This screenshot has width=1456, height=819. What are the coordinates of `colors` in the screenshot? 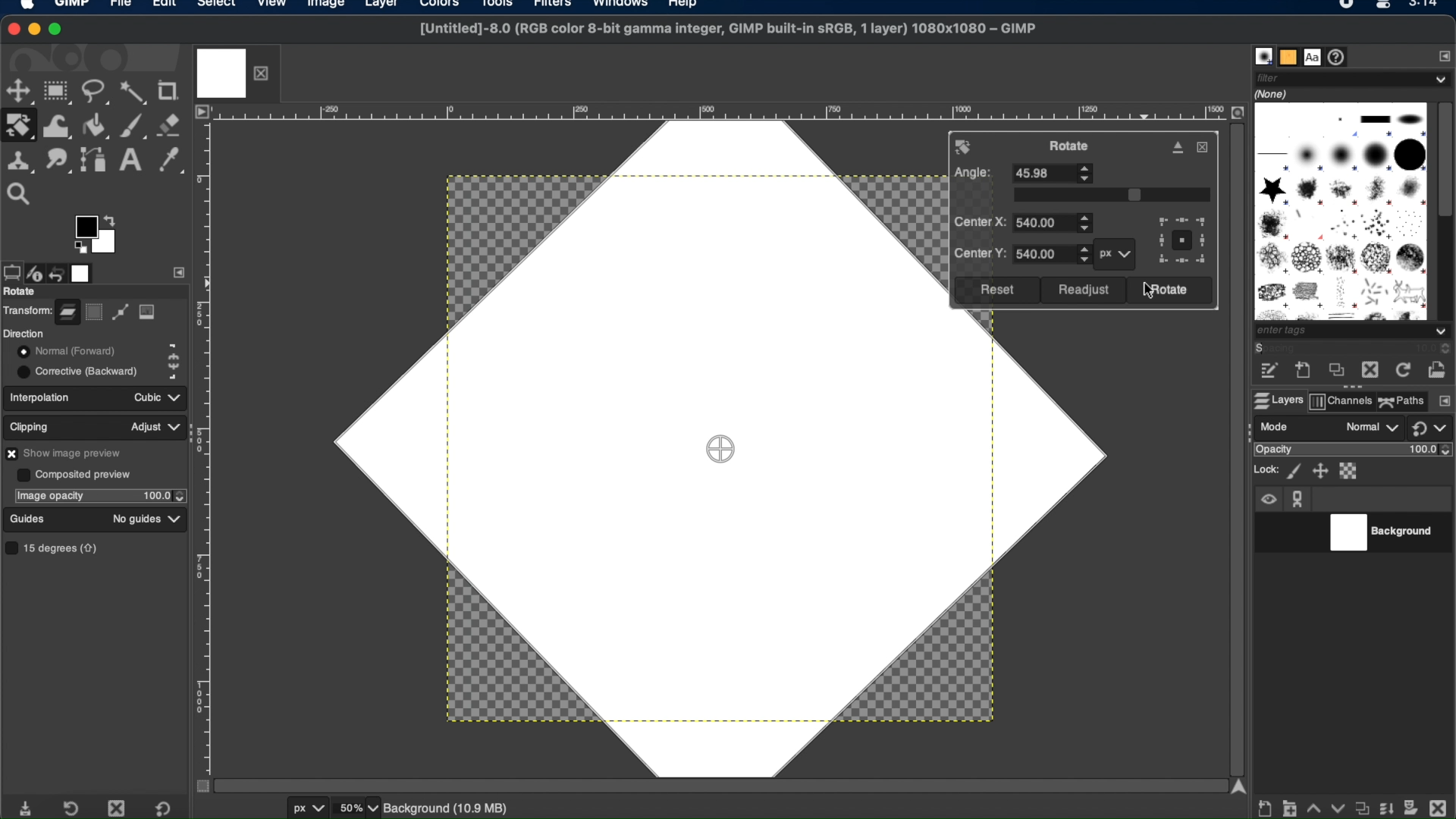 It's located at (443, 8).